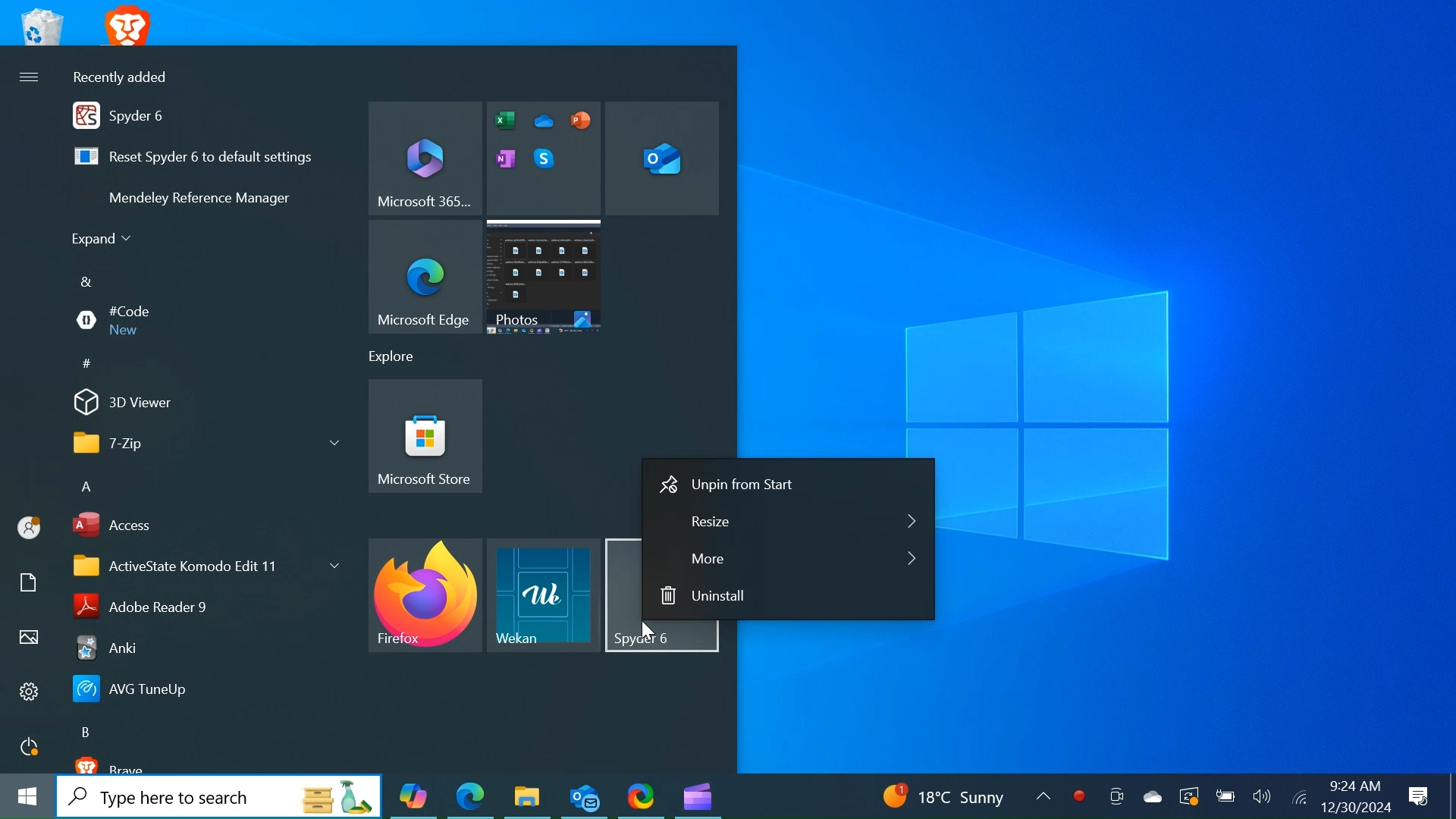  Describe the element at coordinates (29, 639) in the screenshot. I see `Pictures` at that location.